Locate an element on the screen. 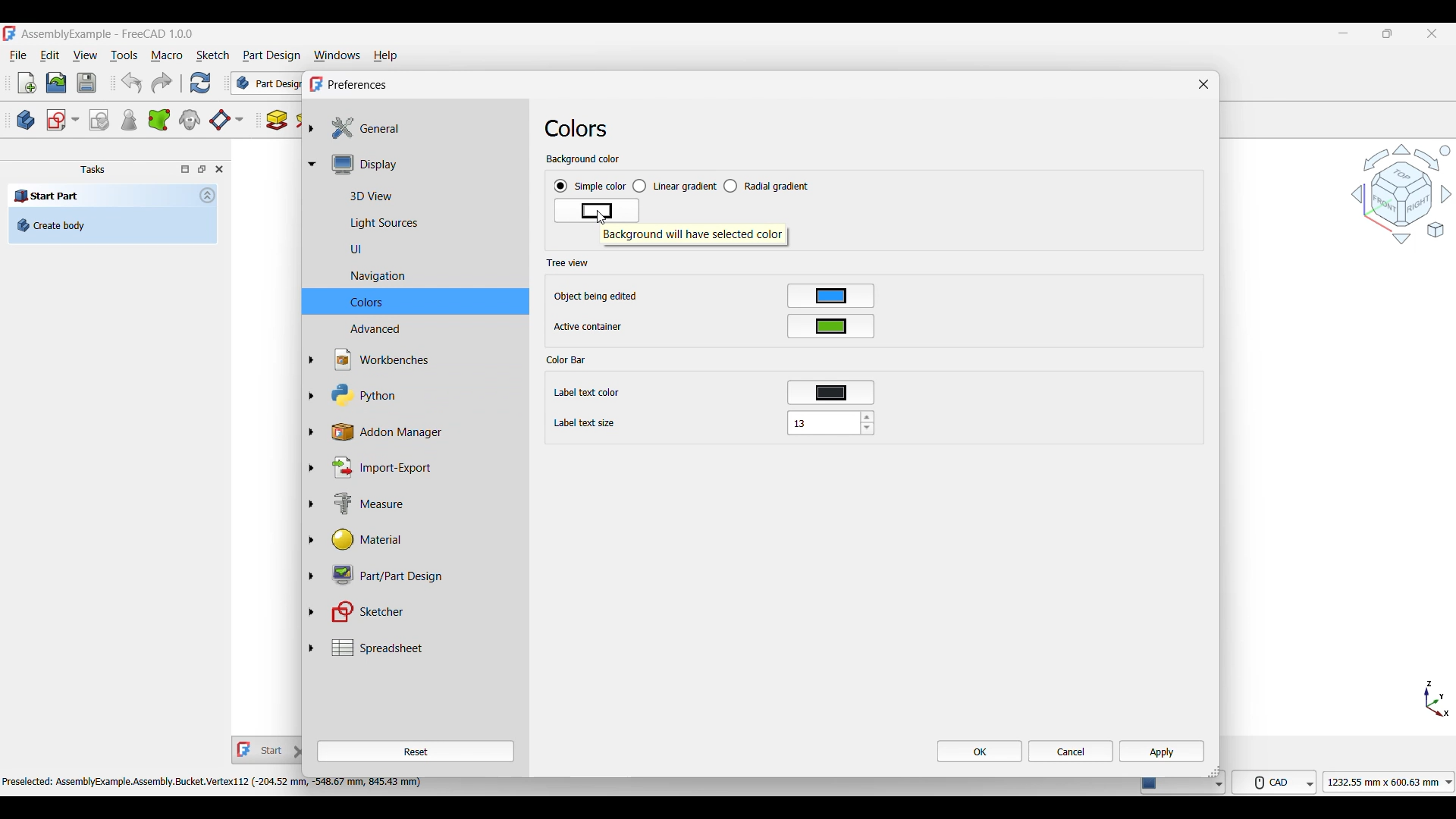  Navigation is located at coordinates (1401, 193).